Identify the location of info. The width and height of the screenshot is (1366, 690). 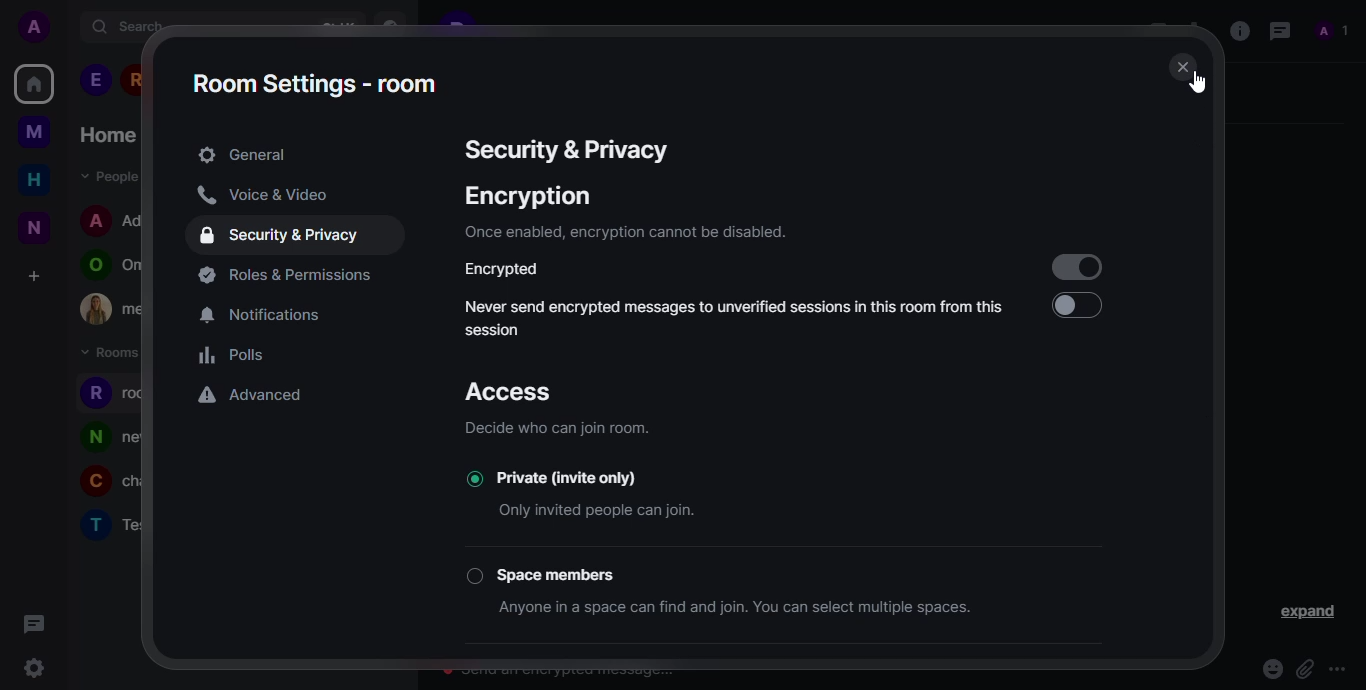
(1238, 29).